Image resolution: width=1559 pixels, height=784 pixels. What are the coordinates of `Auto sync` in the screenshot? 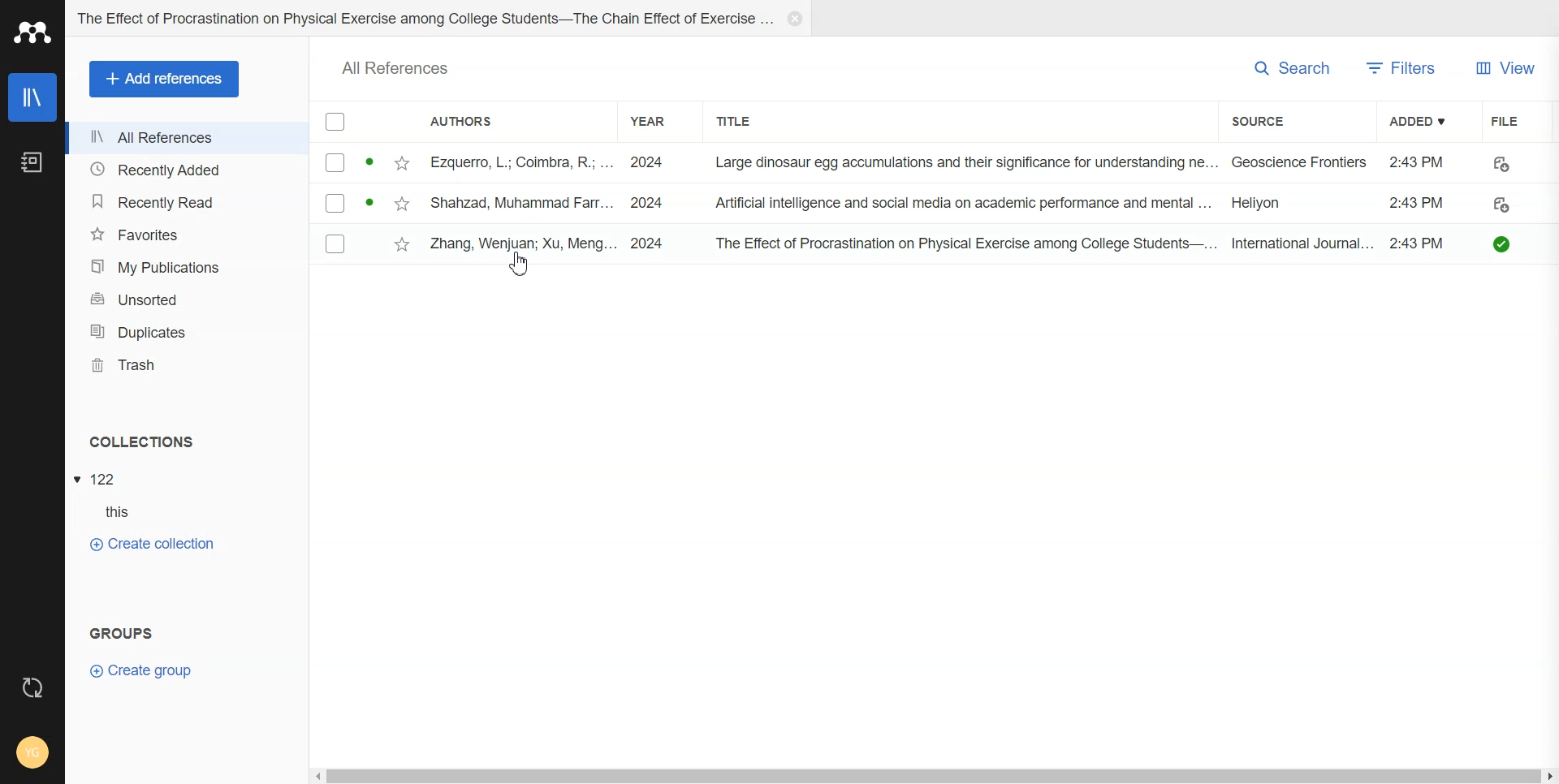 It's located at (34, 690).